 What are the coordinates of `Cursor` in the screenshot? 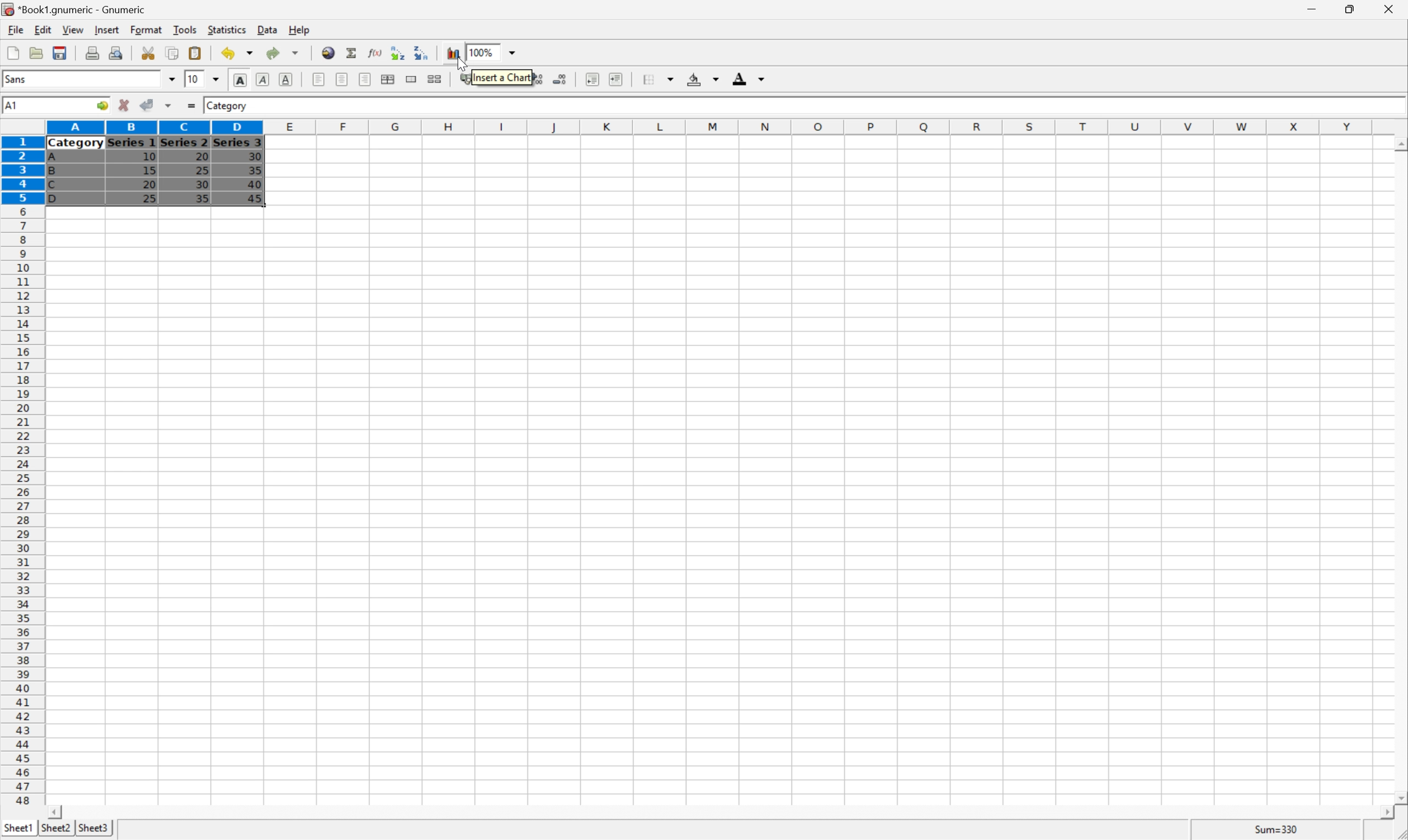 It's located at (242, 196).